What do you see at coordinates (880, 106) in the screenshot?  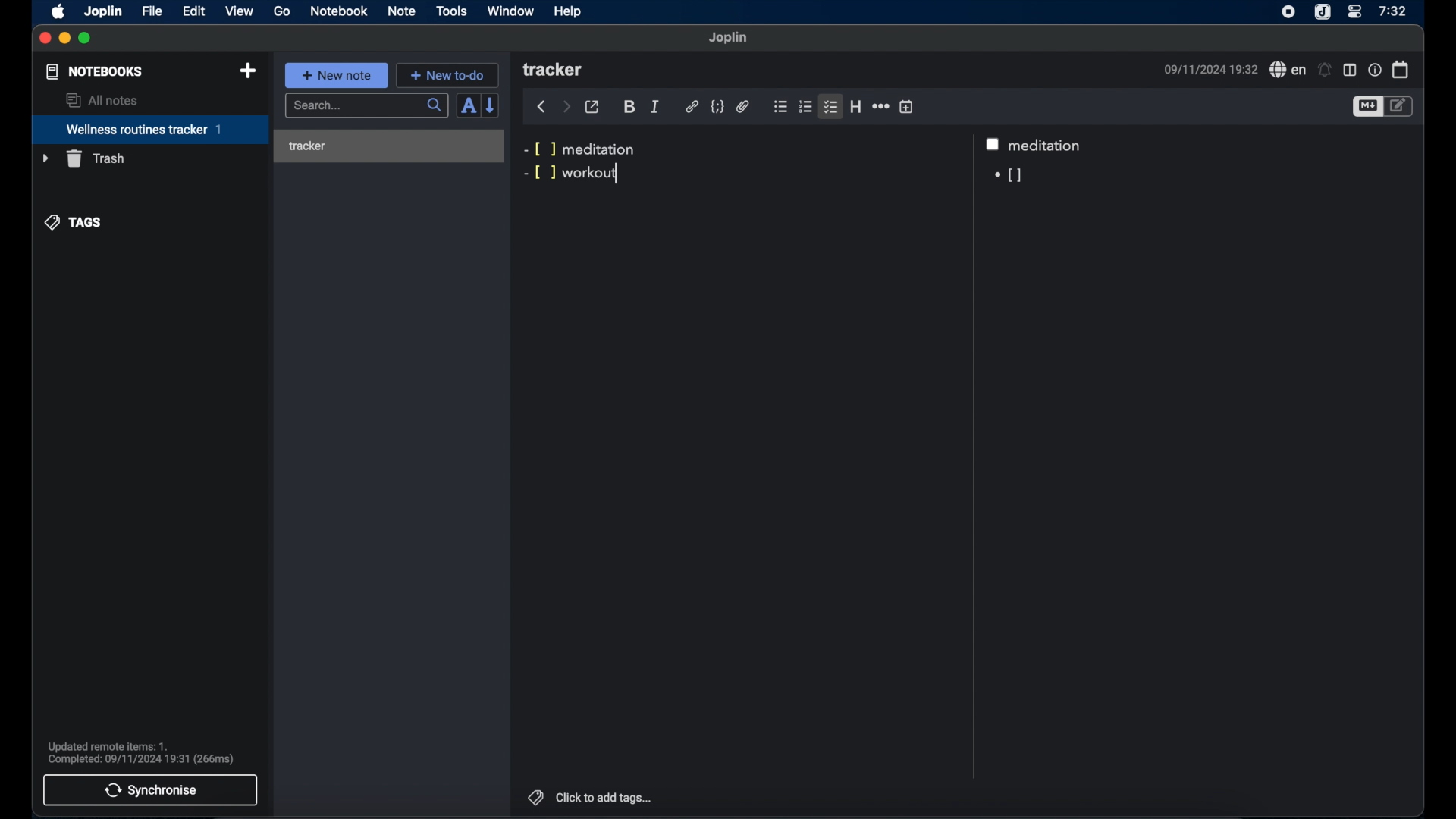 I see `horizontal rule` at bounding box center [880, 106].